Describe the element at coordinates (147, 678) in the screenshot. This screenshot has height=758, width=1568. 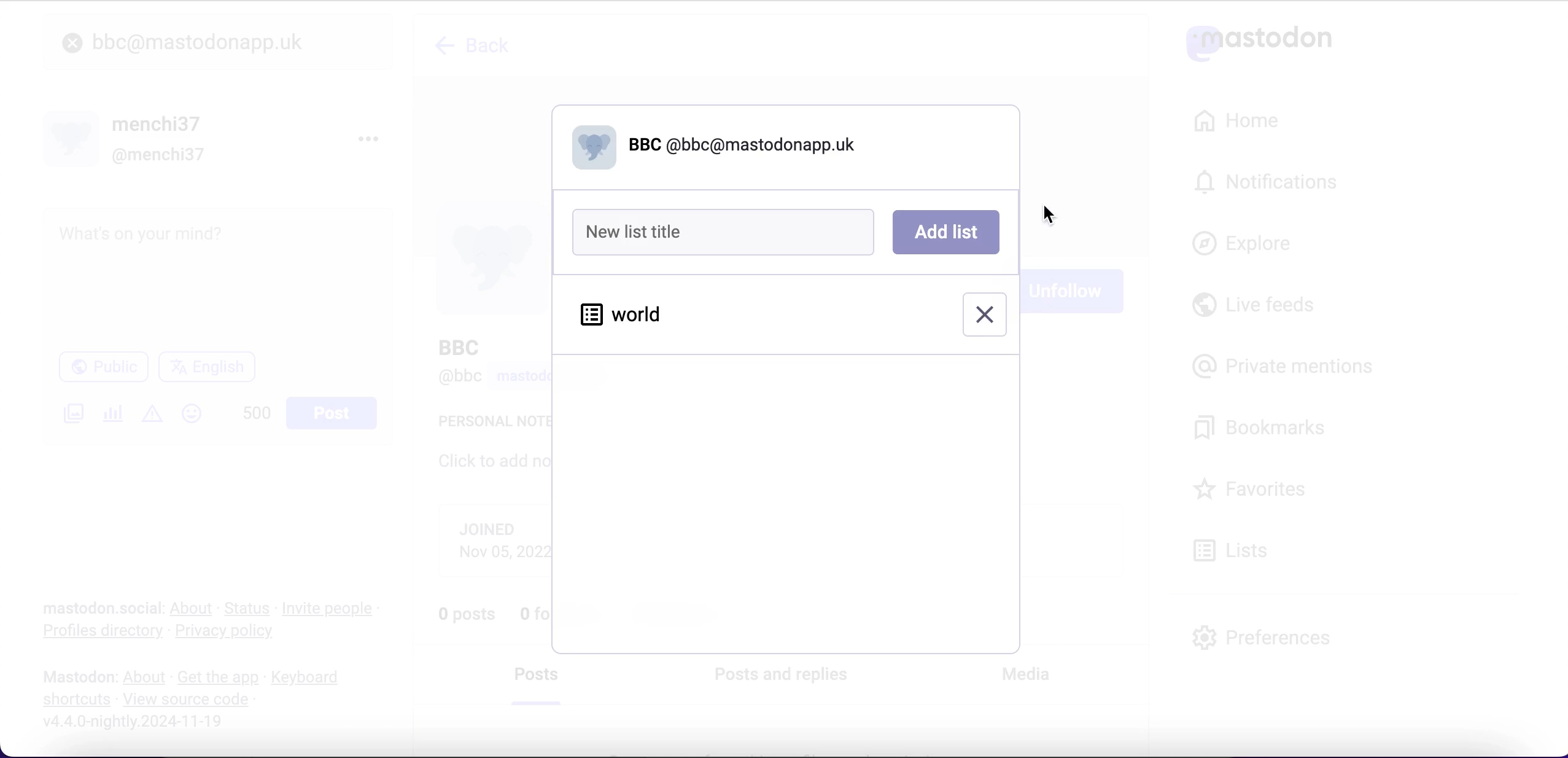
I see `about` at that location.